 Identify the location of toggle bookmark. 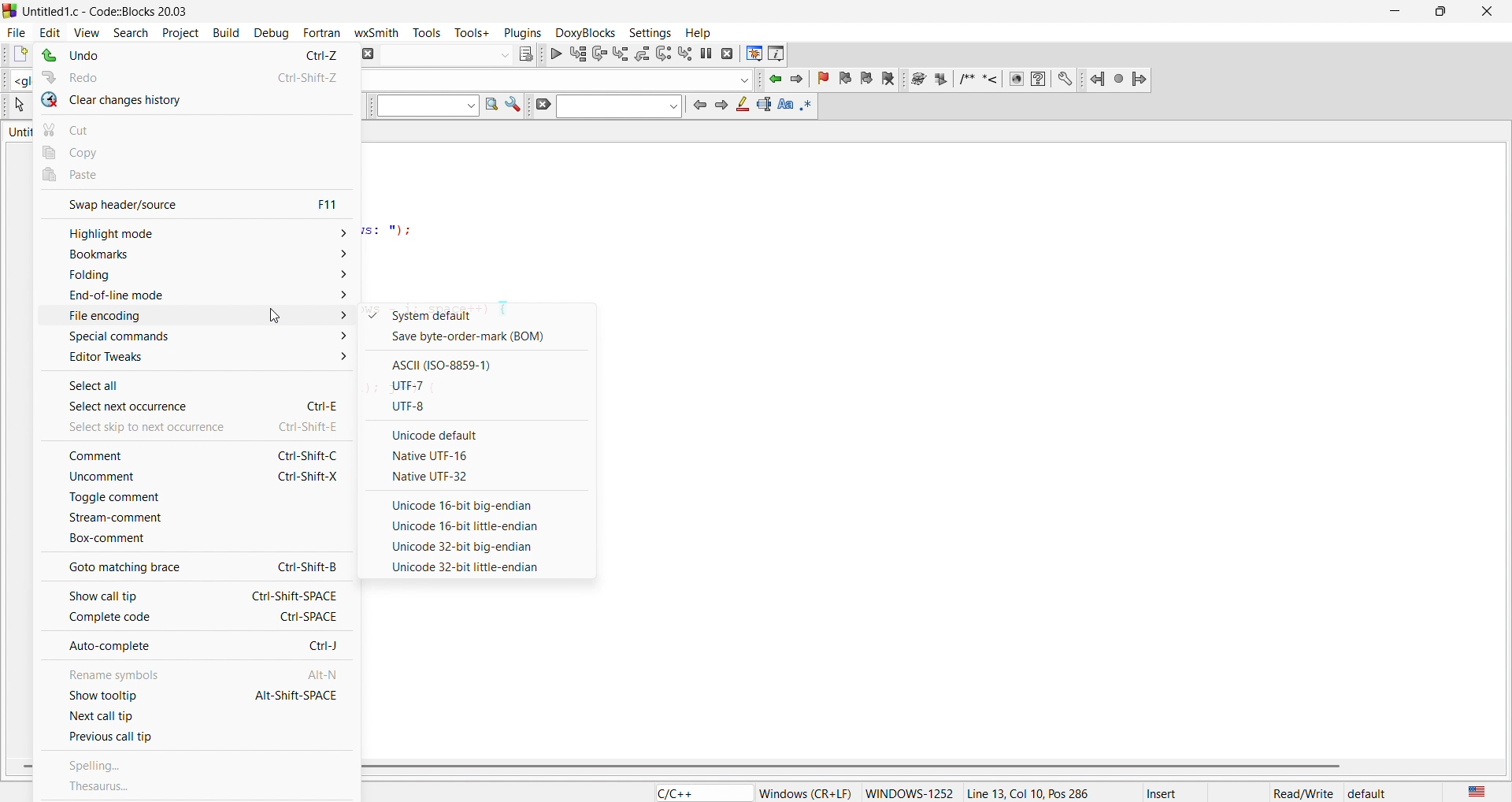
(824, 79).